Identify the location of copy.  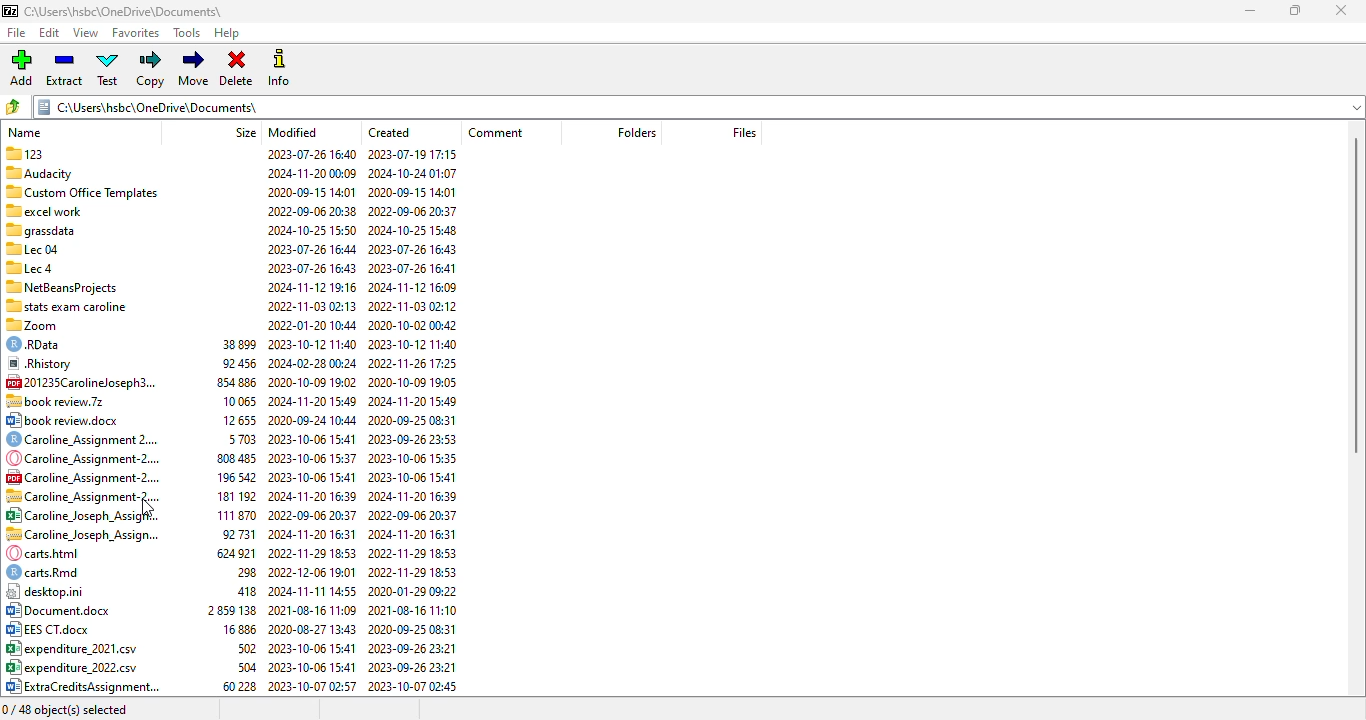
(150, 69).